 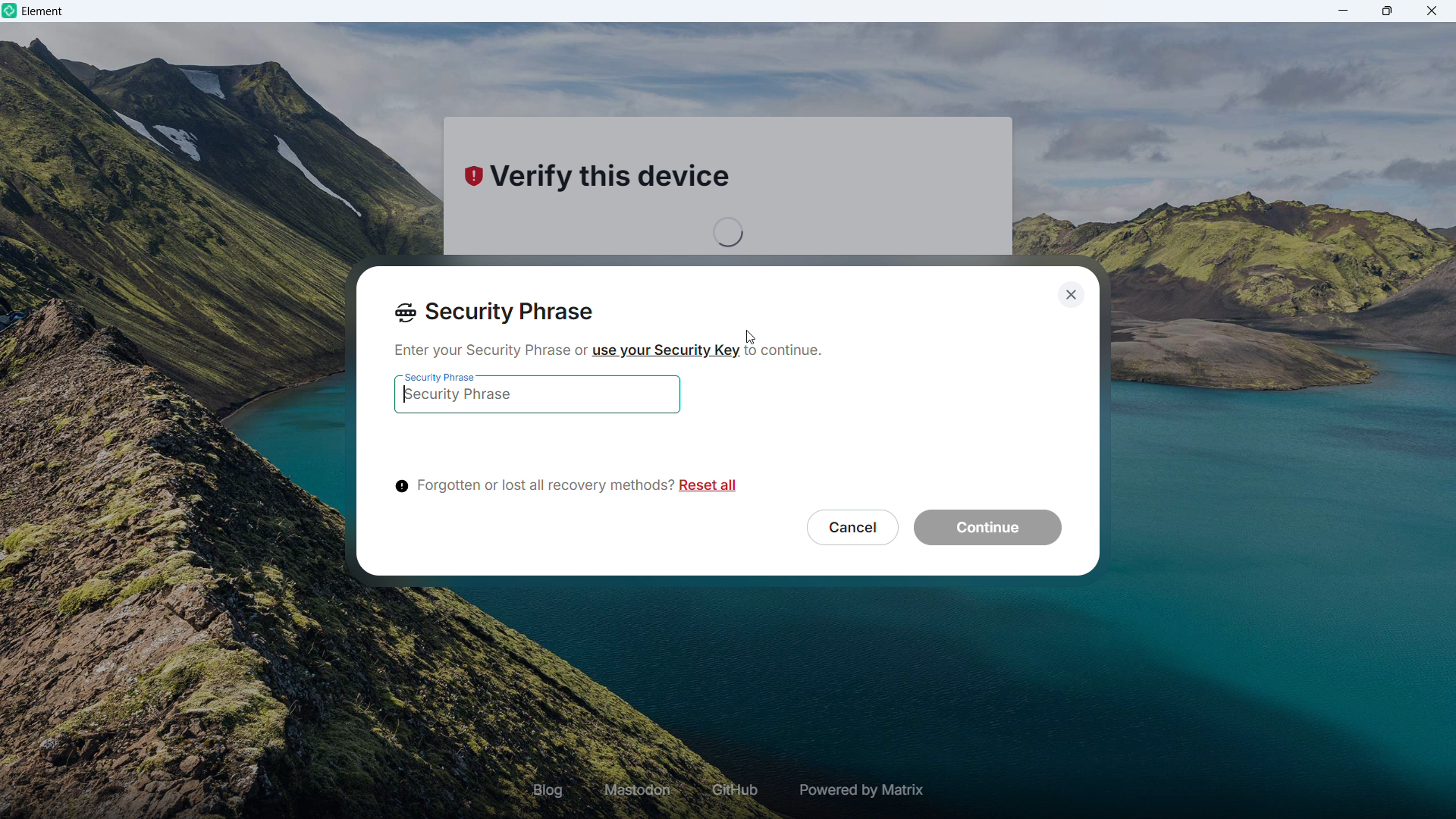 What do you see at coordinates (1431, 11) in the screenshot?
I see `close ` at bounding box center [1431, 11].